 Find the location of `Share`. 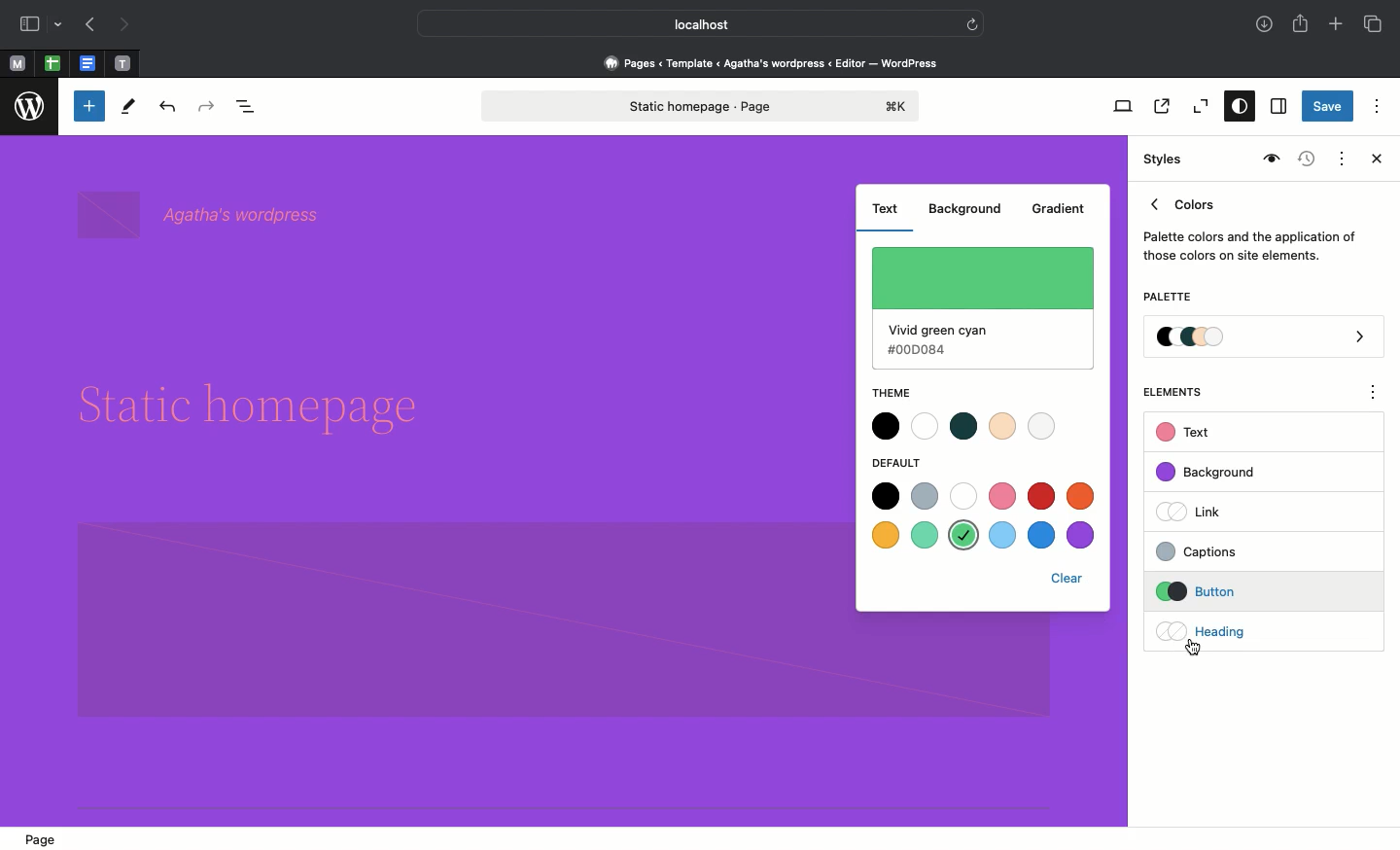

Share is located at coordinates (1302, 23).